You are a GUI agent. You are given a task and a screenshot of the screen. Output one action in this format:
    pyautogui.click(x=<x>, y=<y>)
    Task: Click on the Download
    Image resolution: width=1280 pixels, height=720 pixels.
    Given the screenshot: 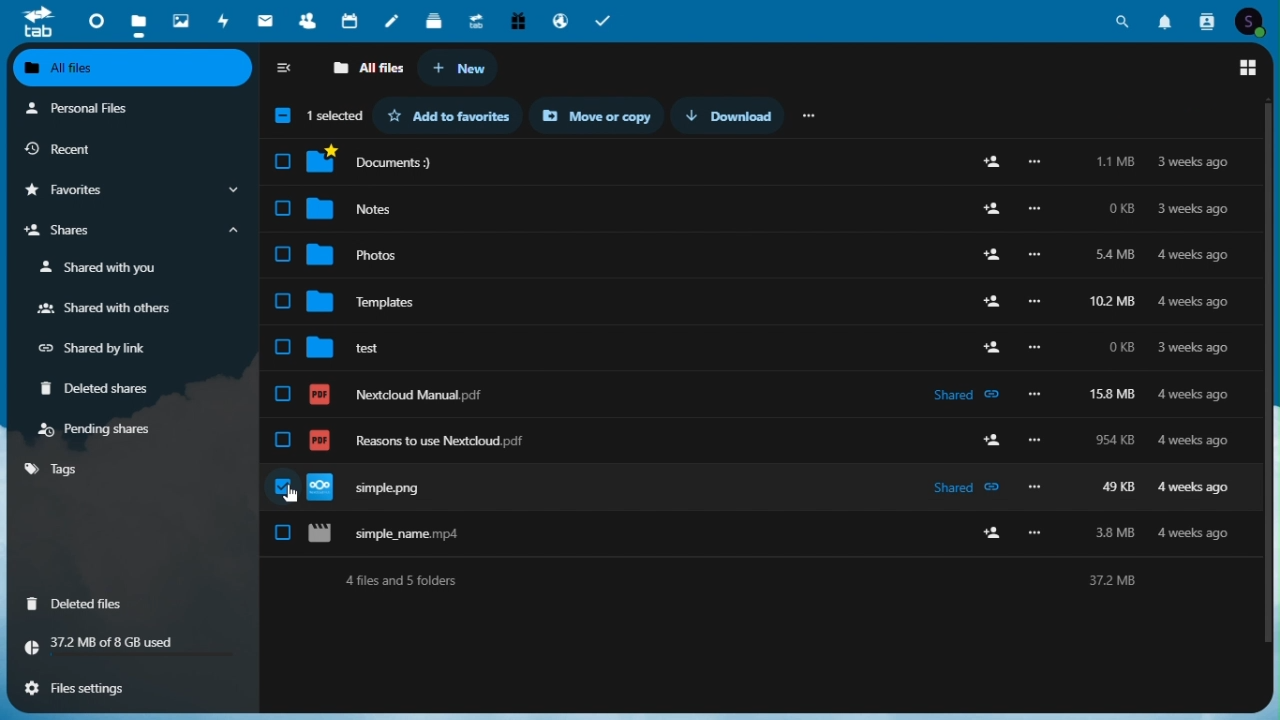 What is the action you would take?
    pyautogui.click(x=737, y=115)
    